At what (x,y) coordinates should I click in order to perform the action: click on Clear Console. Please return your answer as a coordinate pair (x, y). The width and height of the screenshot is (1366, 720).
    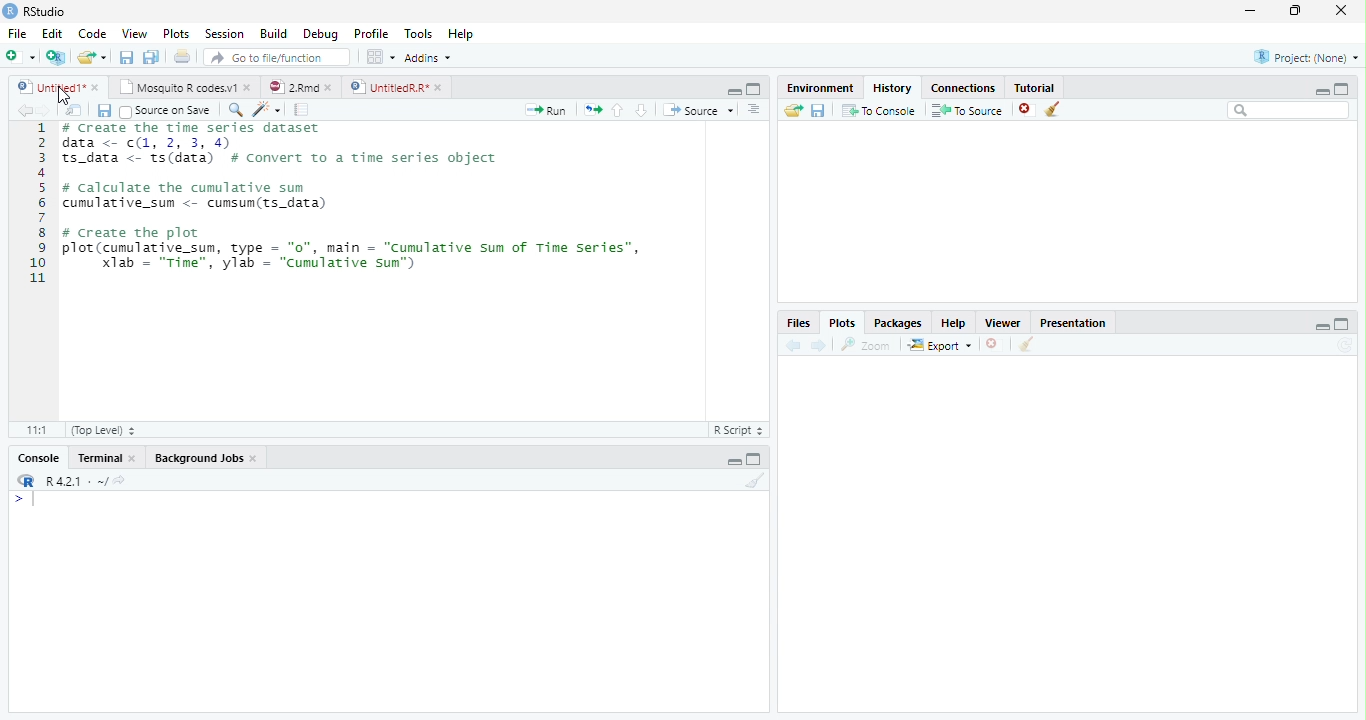
    Looking at the image, I should click on (753, 484).